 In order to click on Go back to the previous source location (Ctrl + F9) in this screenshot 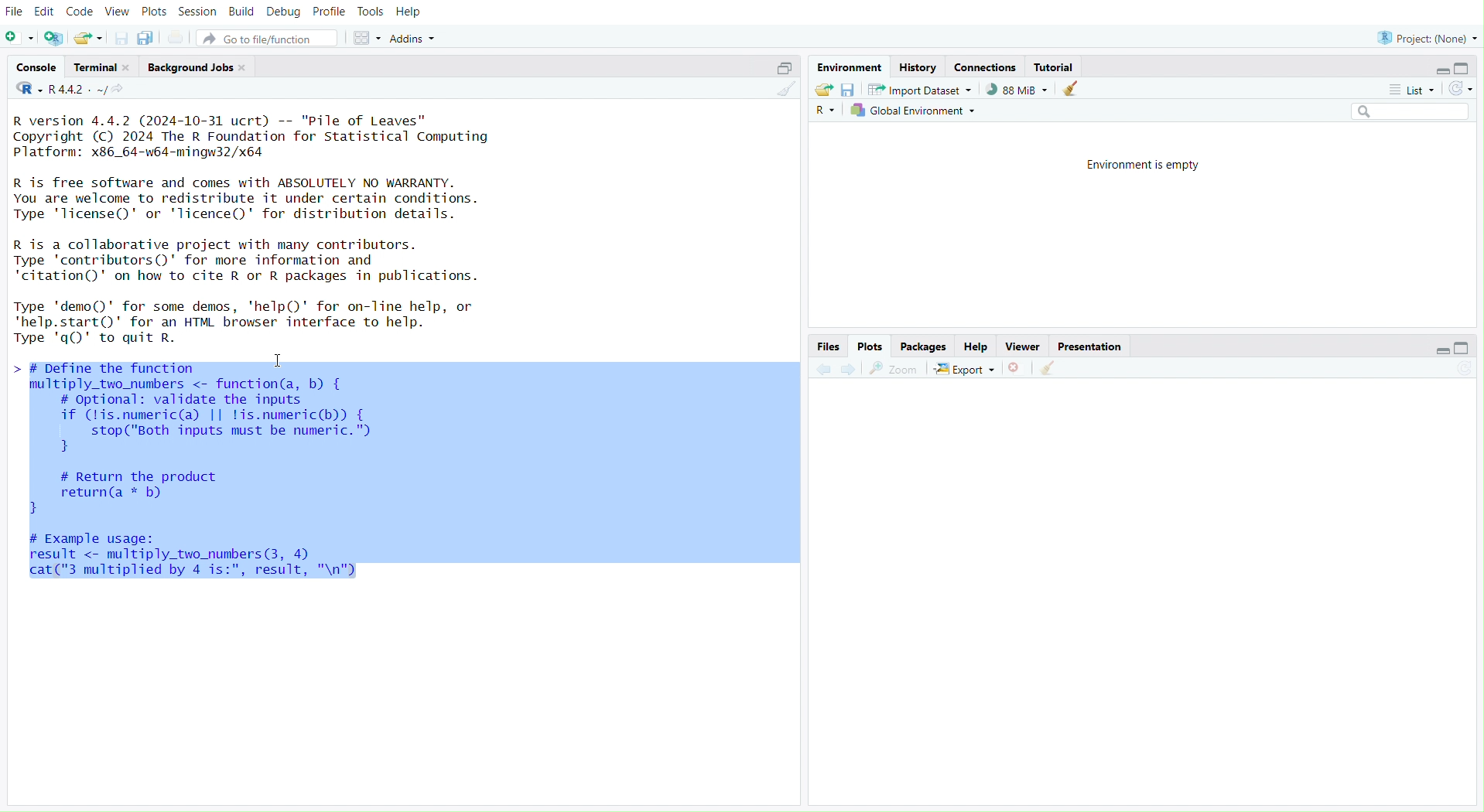, I will do `click(824, 368)`.